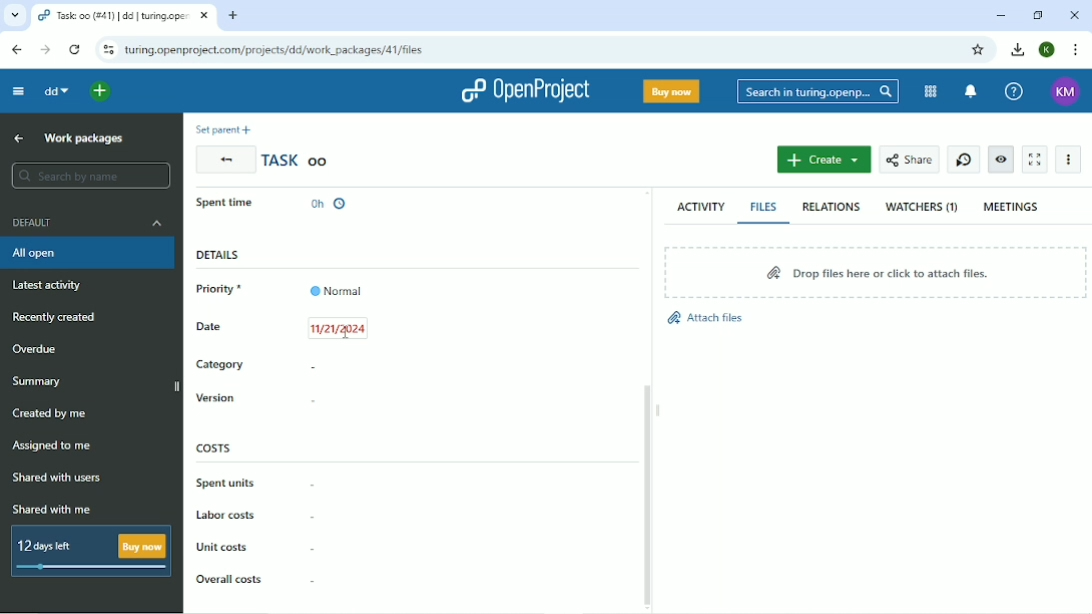 The image size is (1092, 614). What do you see at coordinates (87, 550) in the screenshot?
I see `12 days left Buy now` at bounding box center [87, 550].